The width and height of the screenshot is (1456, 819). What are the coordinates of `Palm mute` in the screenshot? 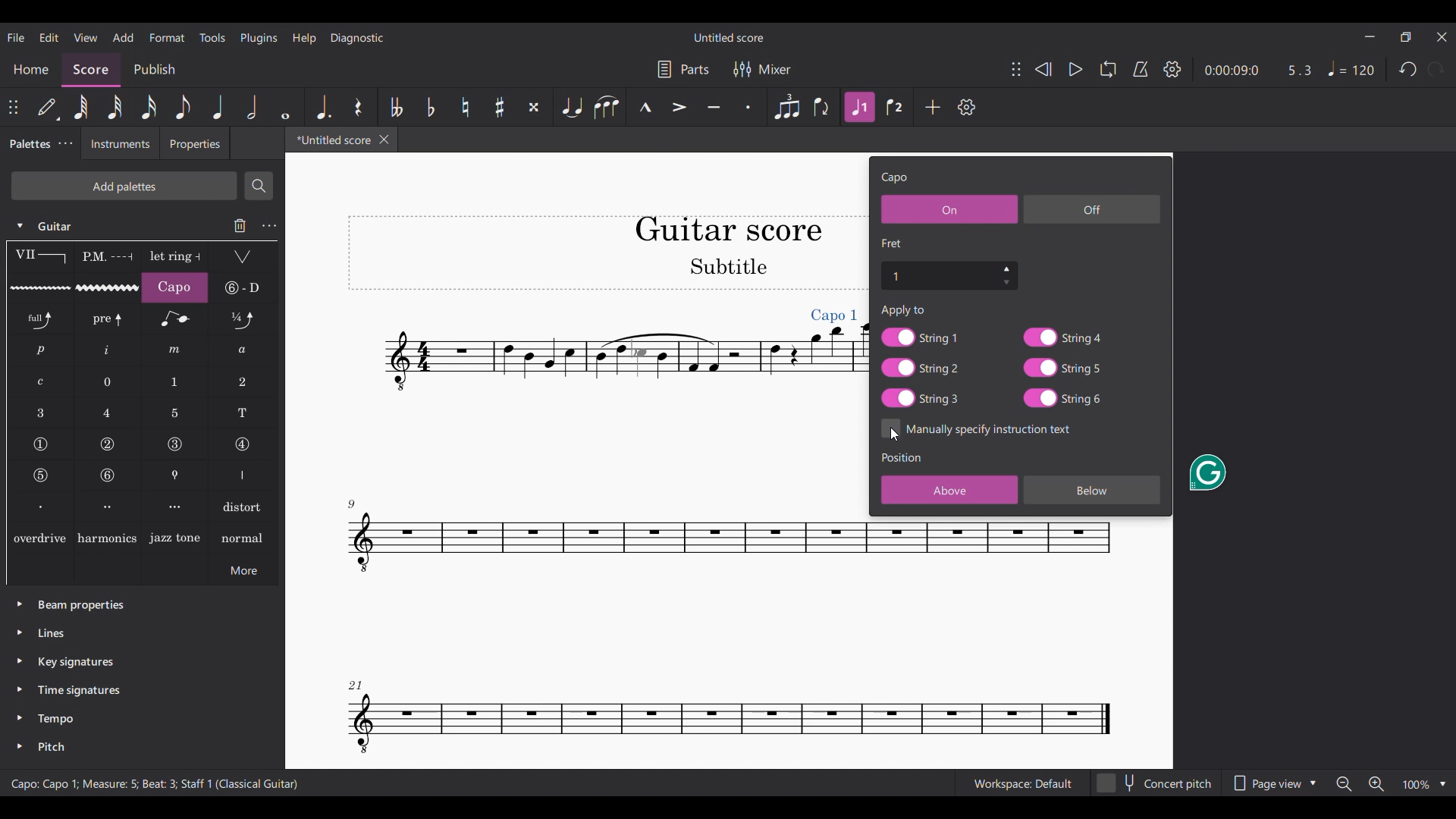 It's located at (106, 257).